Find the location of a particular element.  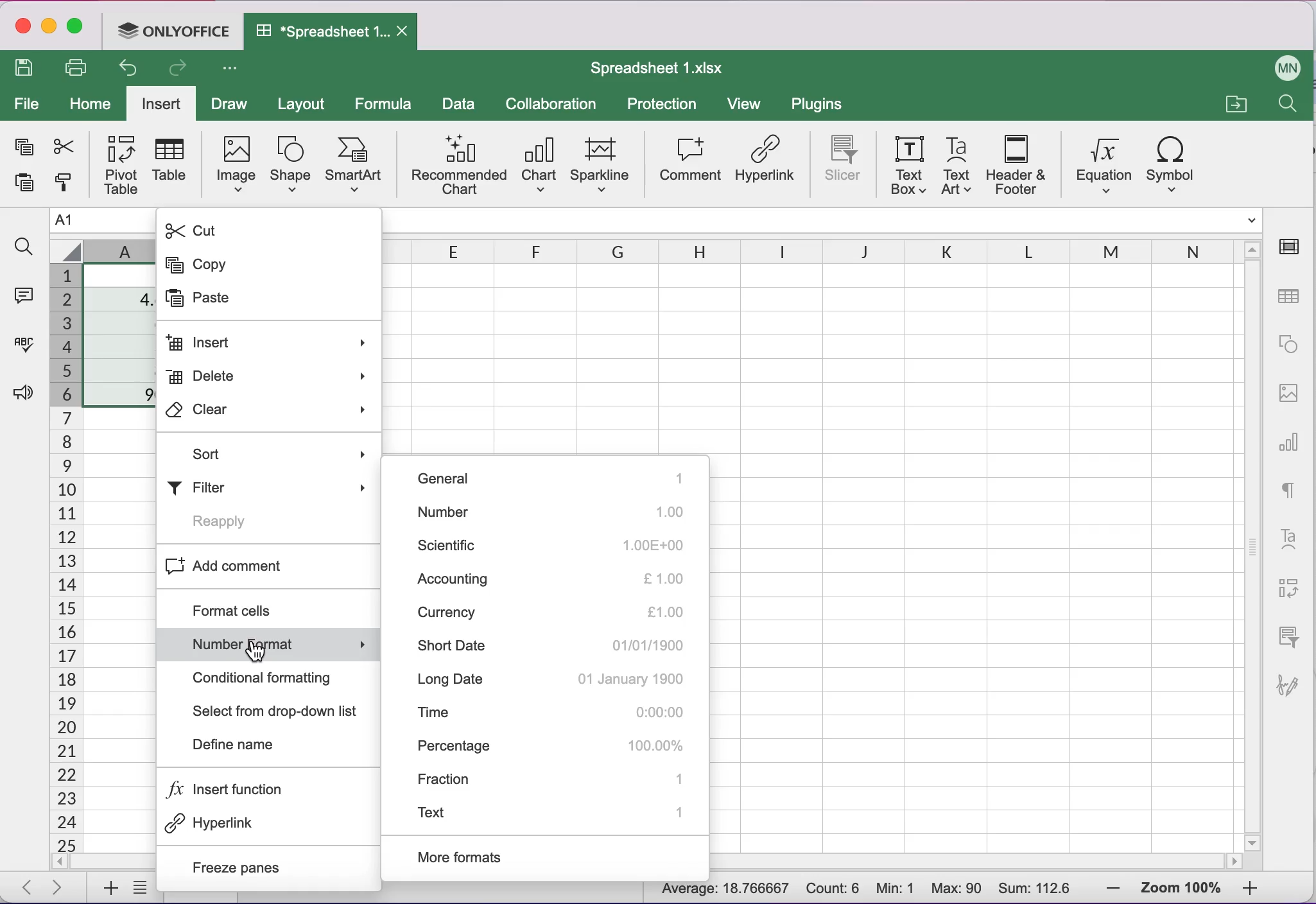

short date is located at coordinates (549, 647).